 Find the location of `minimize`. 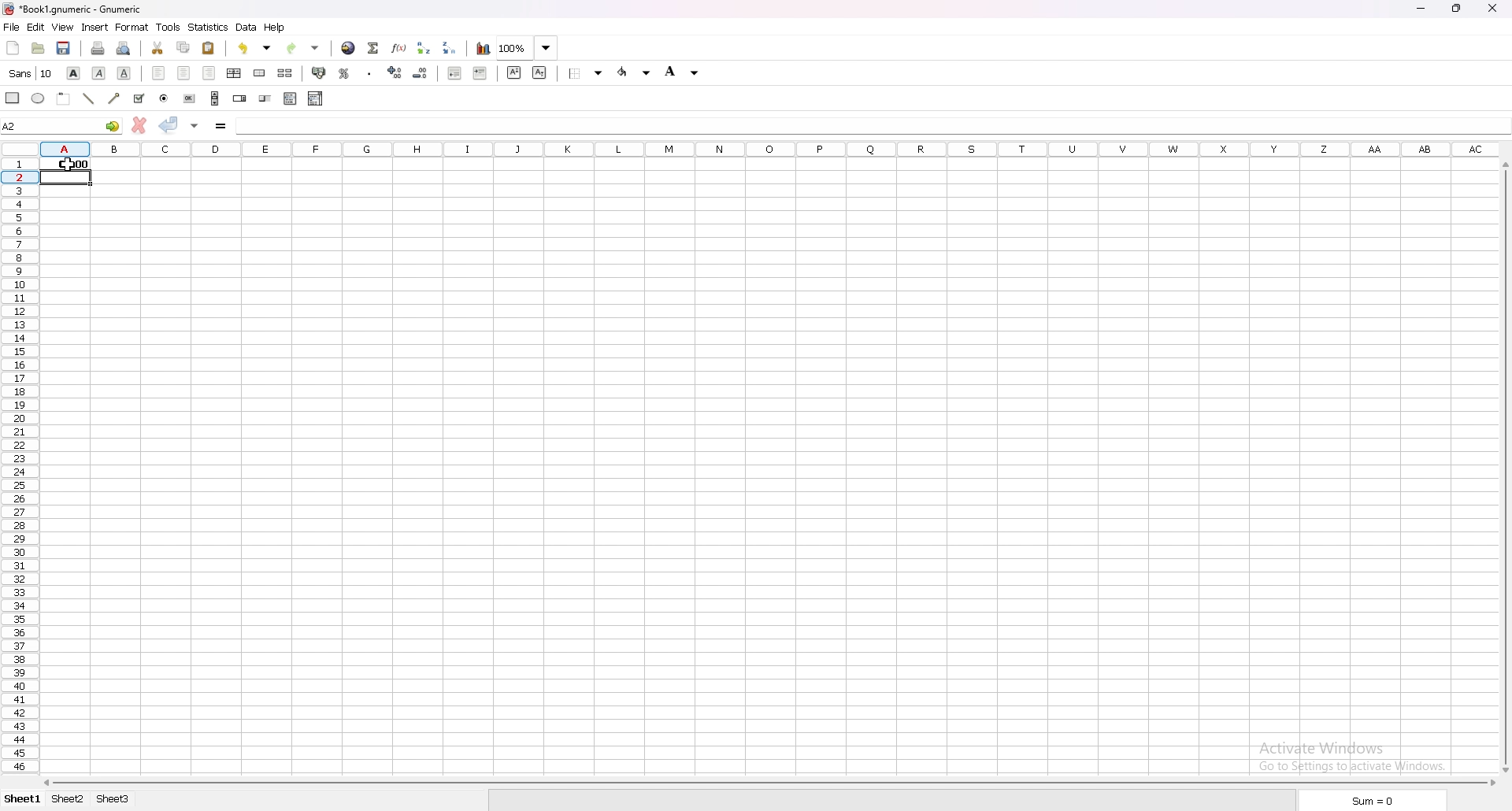

minimize is located at coordinates (1423, 10).